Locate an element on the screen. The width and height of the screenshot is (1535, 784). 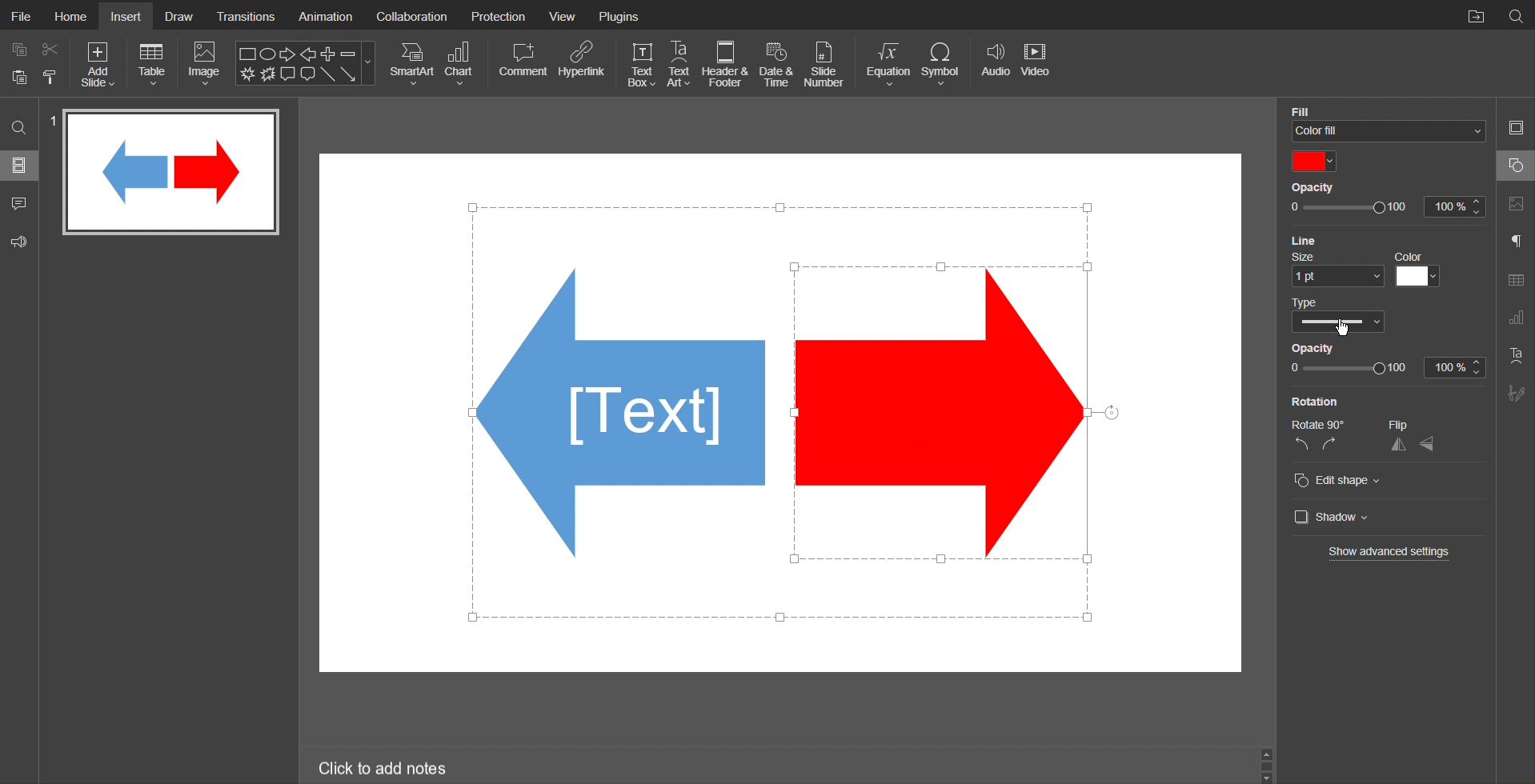
line type is located at coordinates (1337, 314).